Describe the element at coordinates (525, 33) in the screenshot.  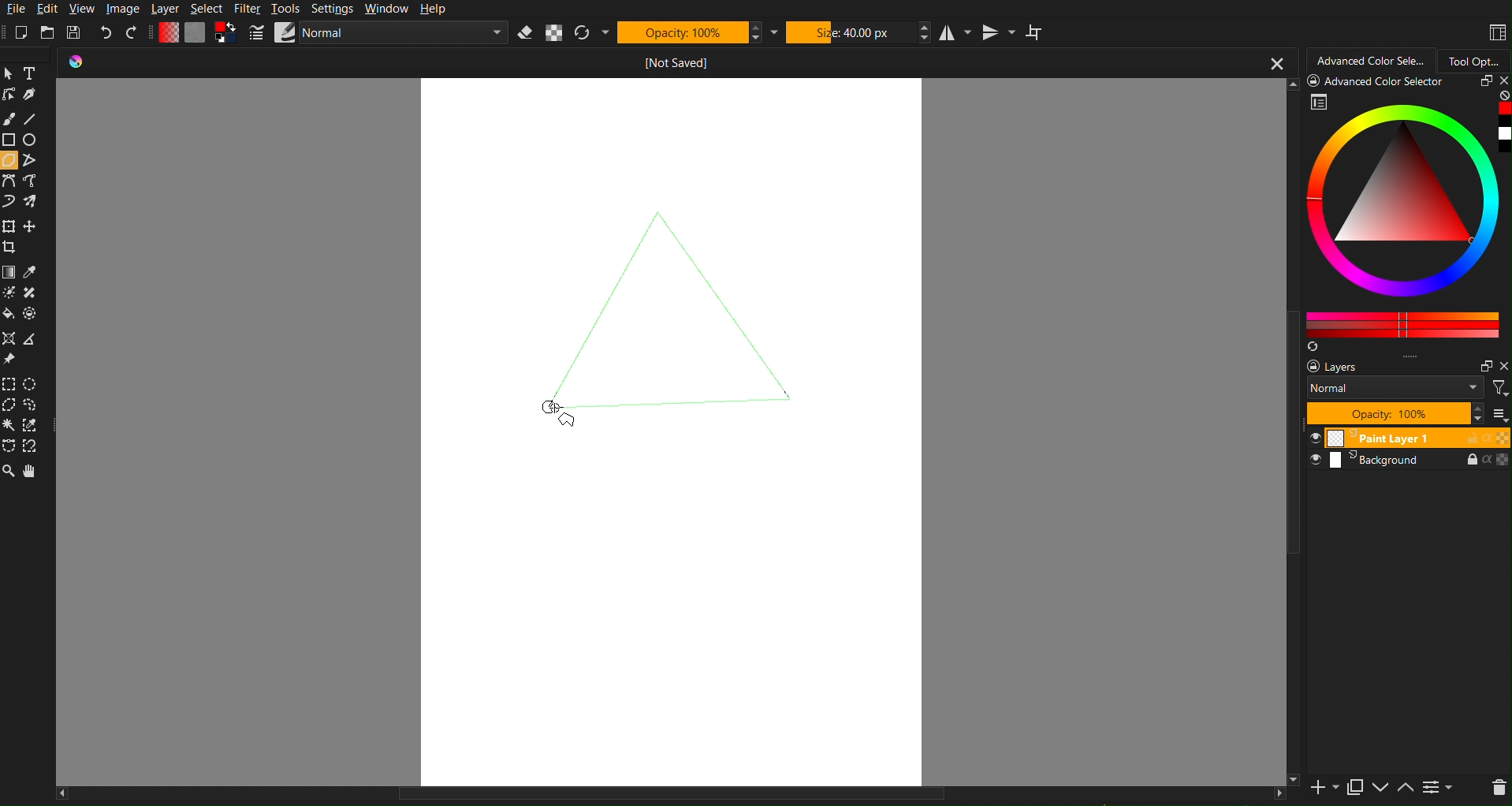
I see `Erase` at that location.